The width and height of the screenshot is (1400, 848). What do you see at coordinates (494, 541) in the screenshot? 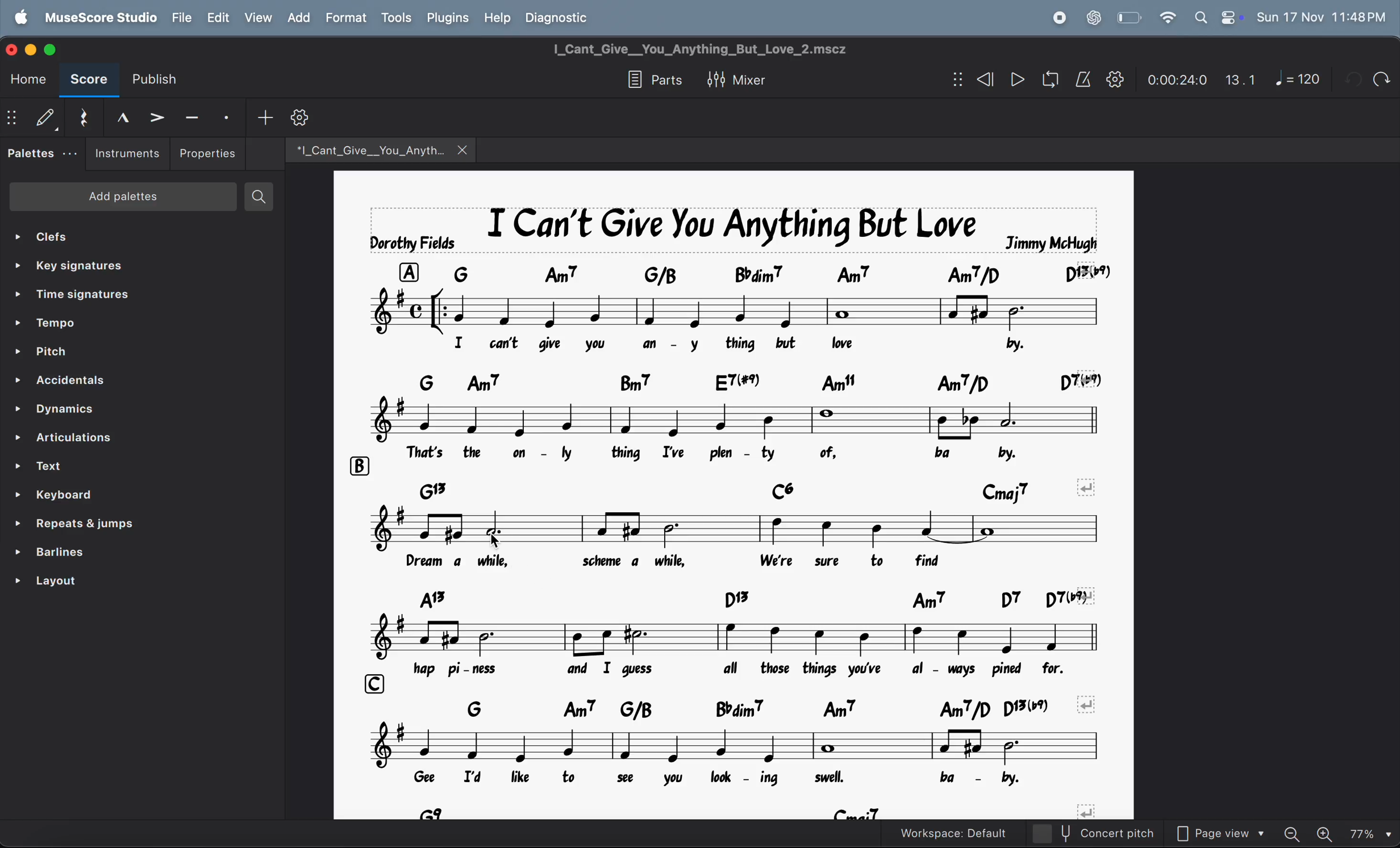
I see `cursor` at bounding box center [494, 541].